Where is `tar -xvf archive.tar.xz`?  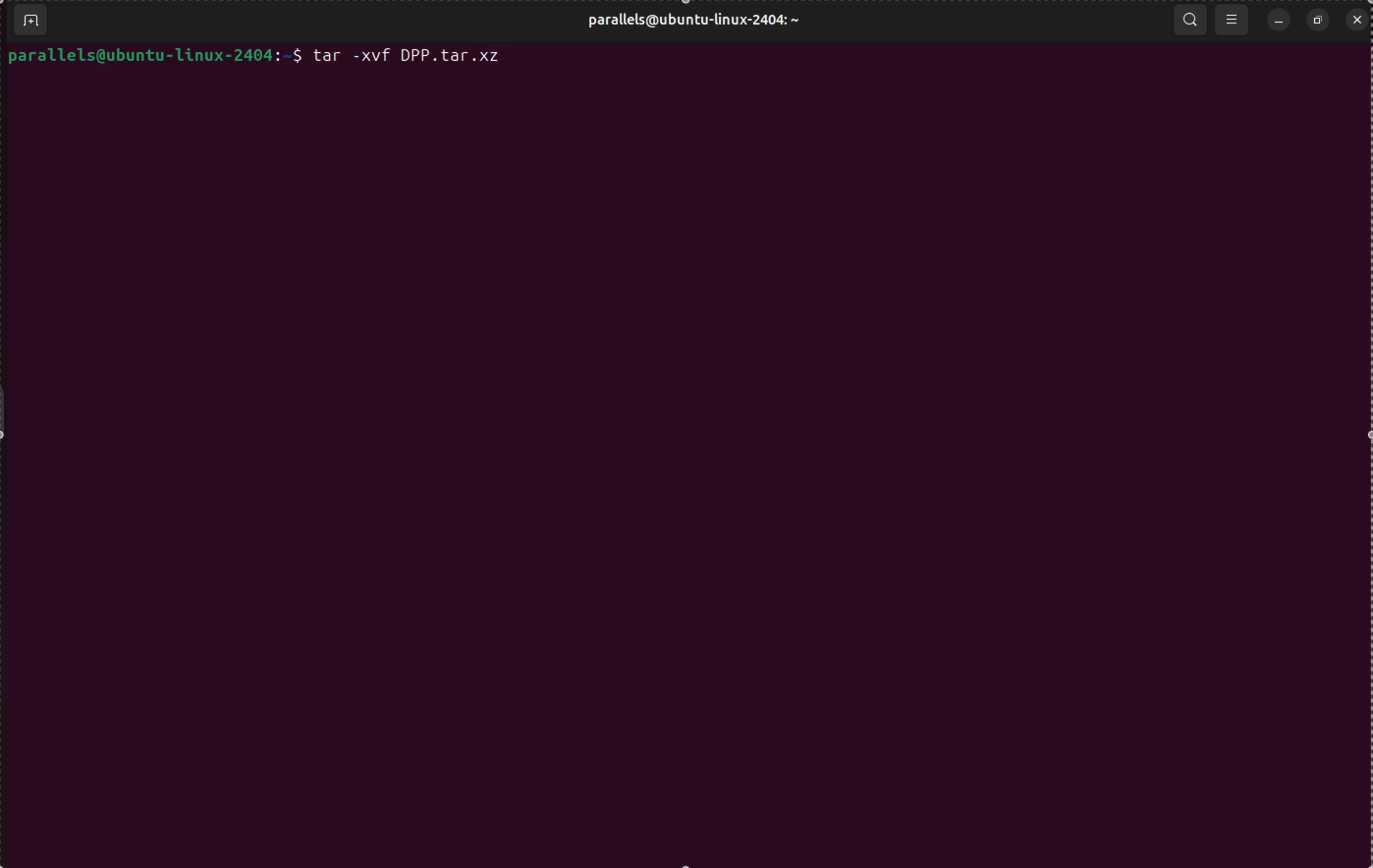 tar -xvf archive.tar.xz is located at coordinates (408, 57).